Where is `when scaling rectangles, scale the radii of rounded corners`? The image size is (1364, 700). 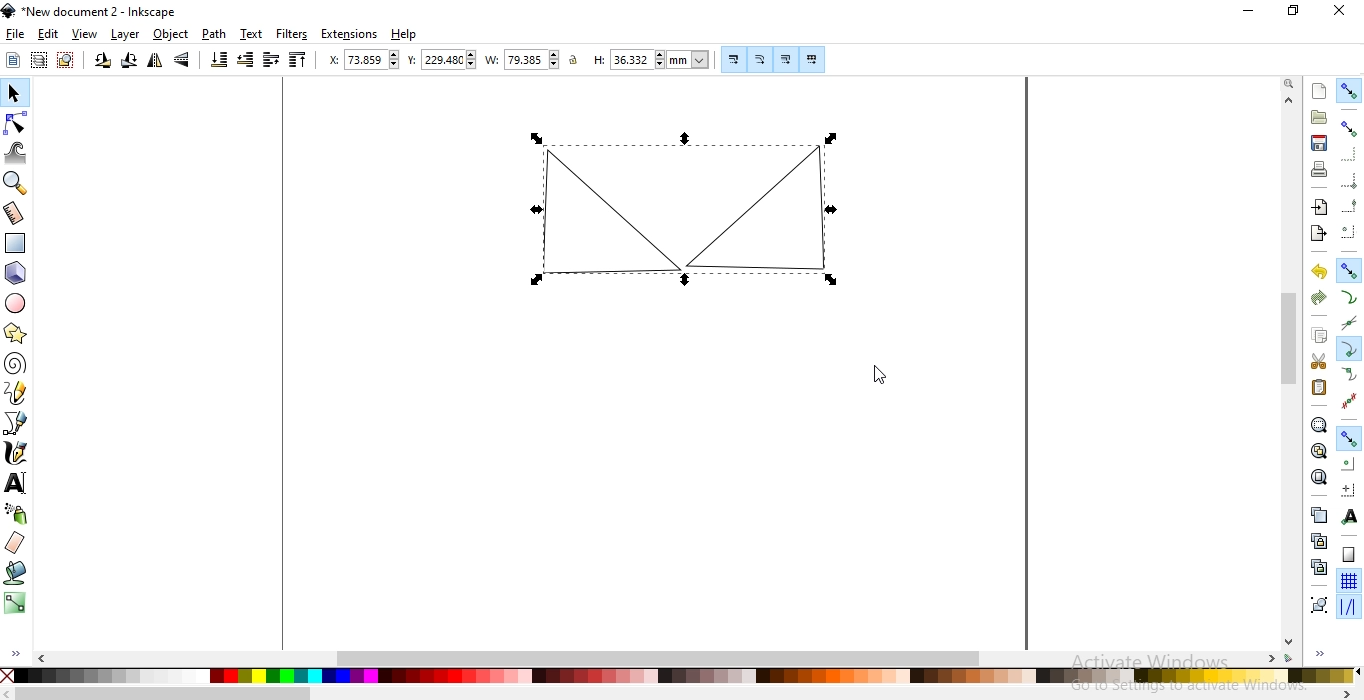 when scaling rectangles, scale the radii of rounded corners is located at coordinates (760, 60).